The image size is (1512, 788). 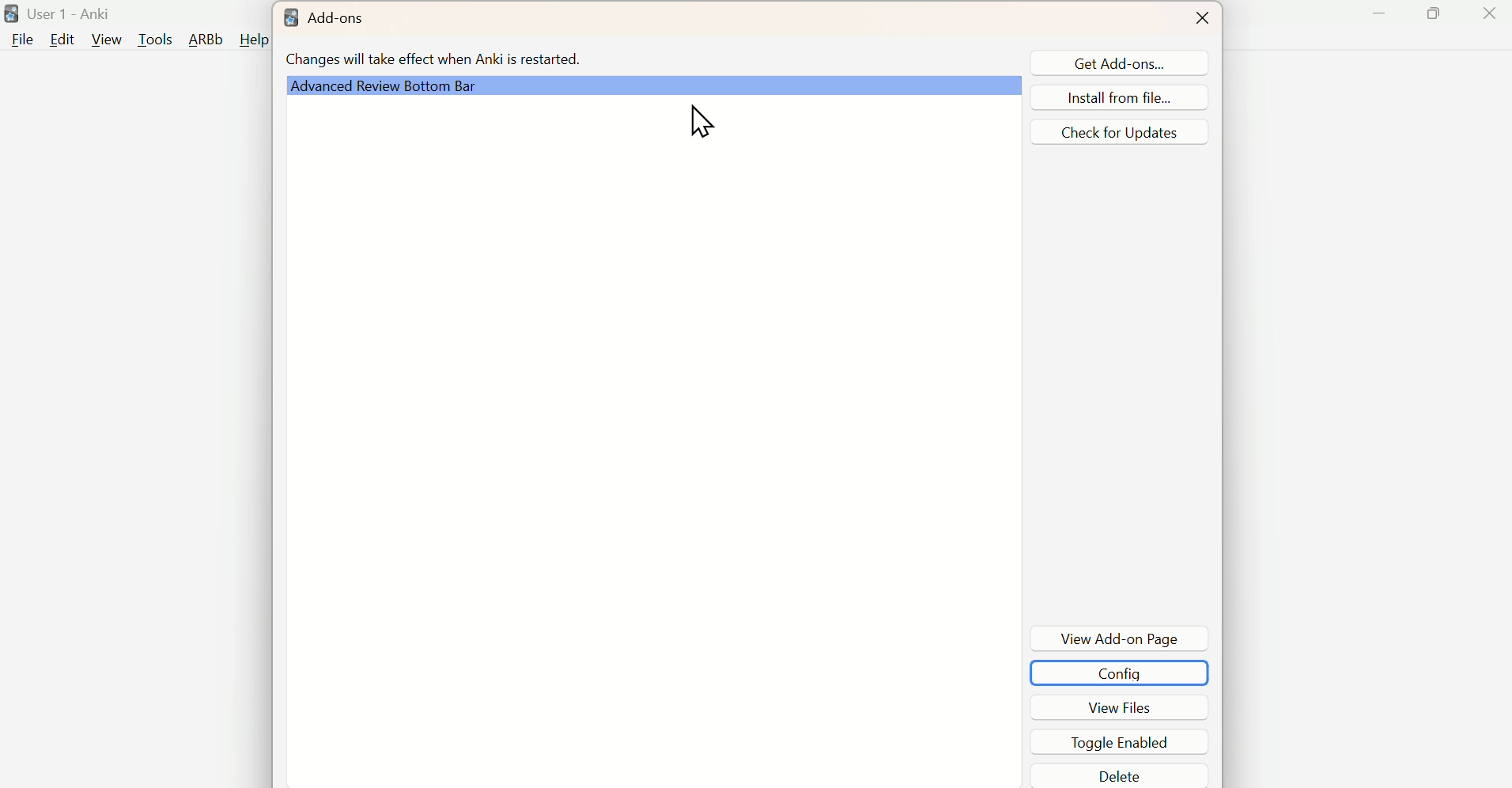 What do you see at coordinates (702, 123) in the screenshot?
I see `Cursor` at bounding box center [702, 123].